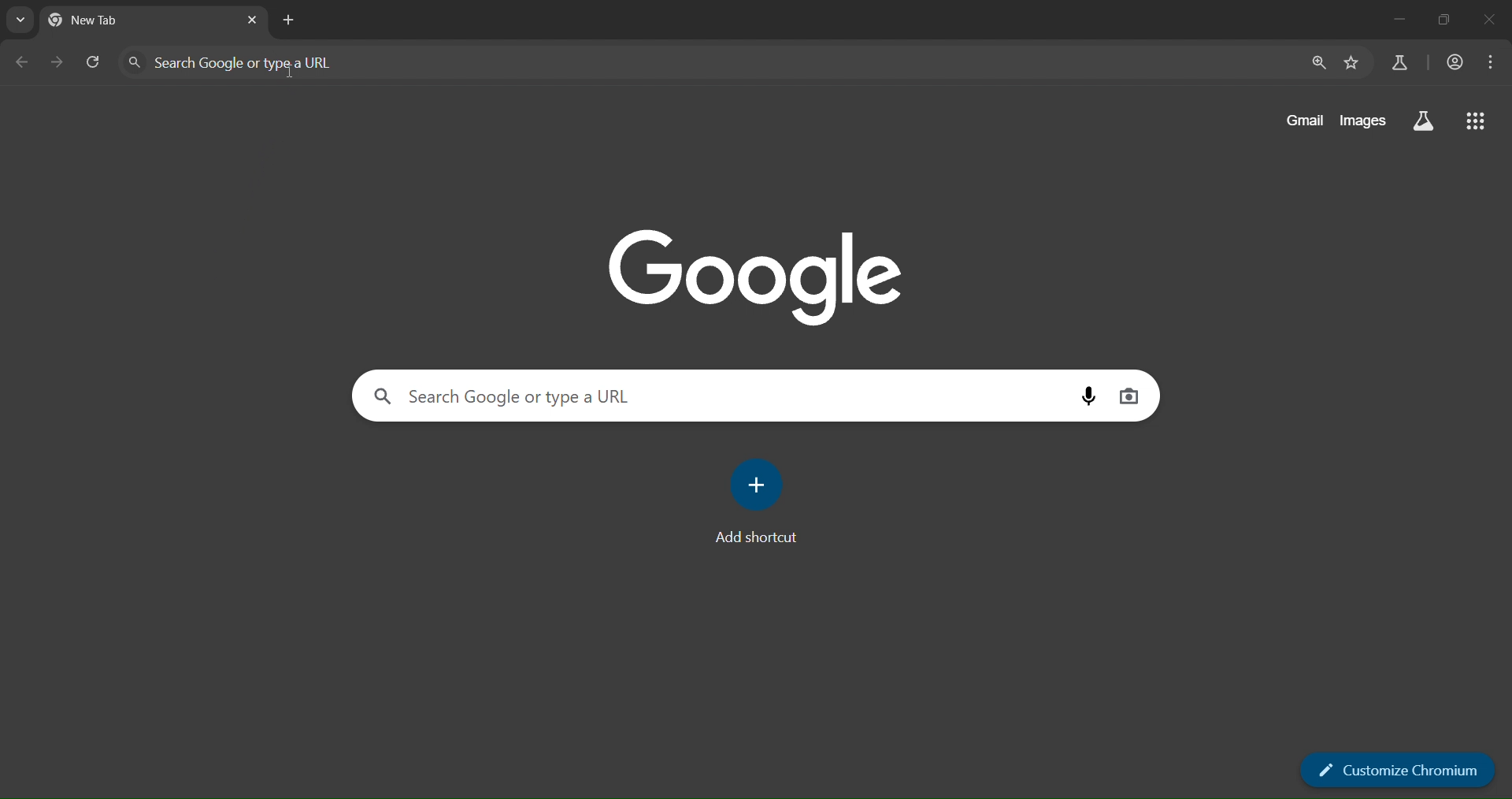 The height and width of the screenshot is (799, 1512). Describe the element at coordinates (1492, 20) in the screenshot. I see `close` at that location.